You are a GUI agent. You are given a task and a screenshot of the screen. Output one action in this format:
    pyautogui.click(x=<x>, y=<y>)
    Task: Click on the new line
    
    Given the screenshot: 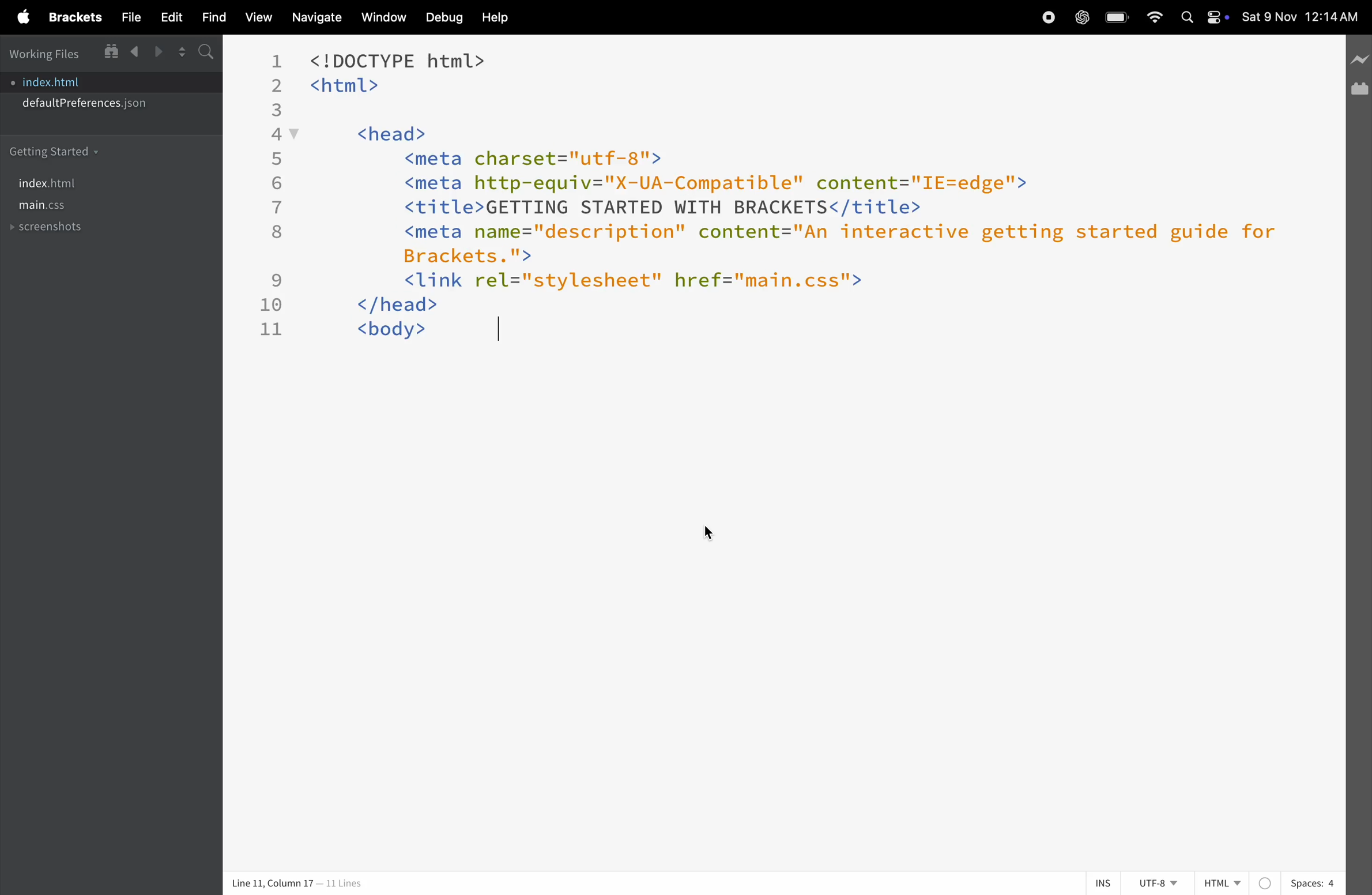 What is the action you would take?
    pyautogui.click(x=1360, y=55)
    